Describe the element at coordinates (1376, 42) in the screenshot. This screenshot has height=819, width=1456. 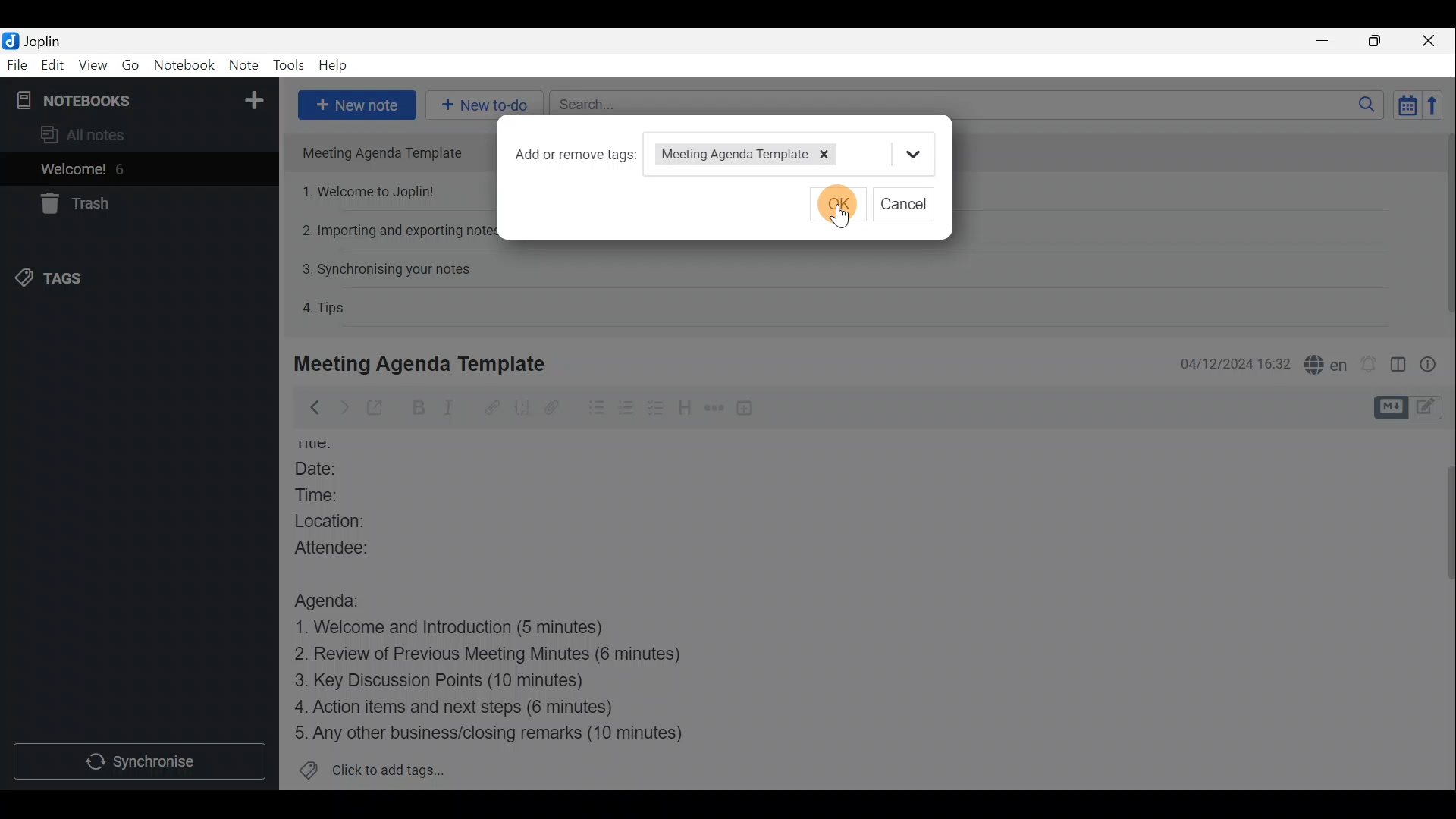
I see `Maximise` at that location.